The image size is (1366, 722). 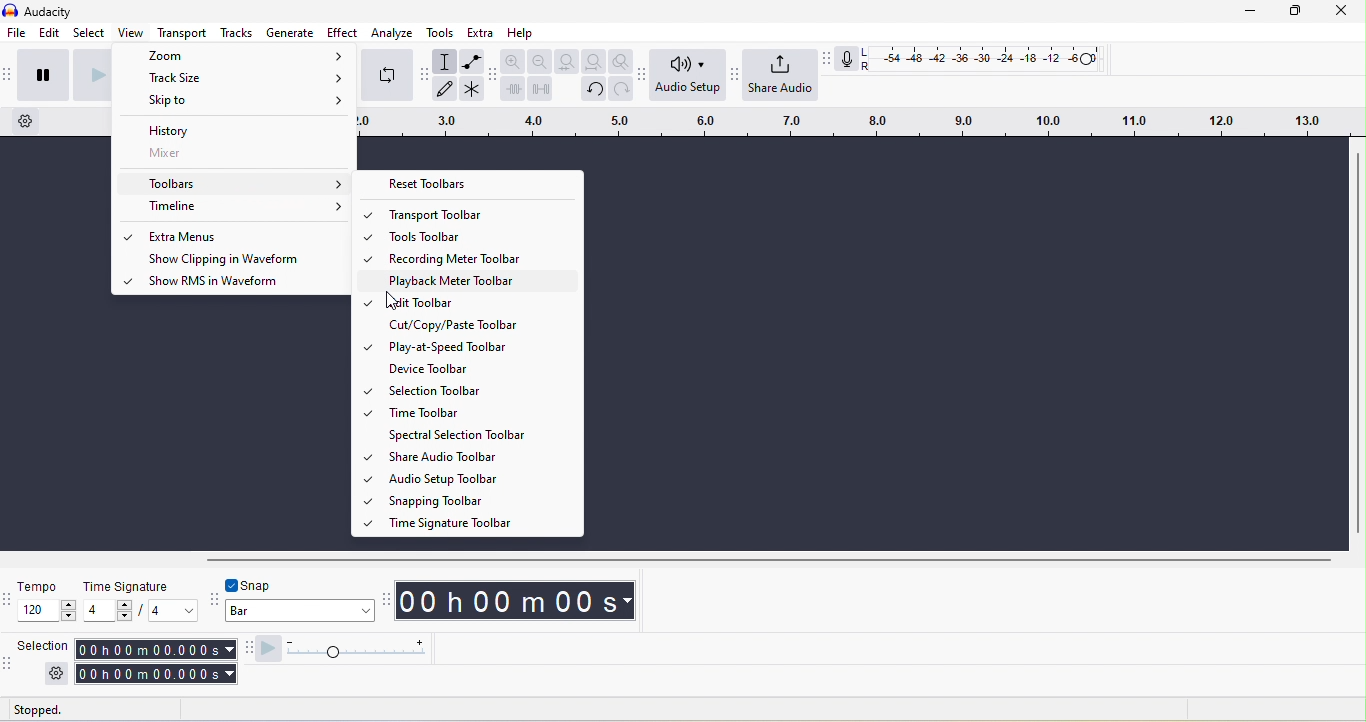 I want to click on Selection toolbar, so click(x=481, y=390).